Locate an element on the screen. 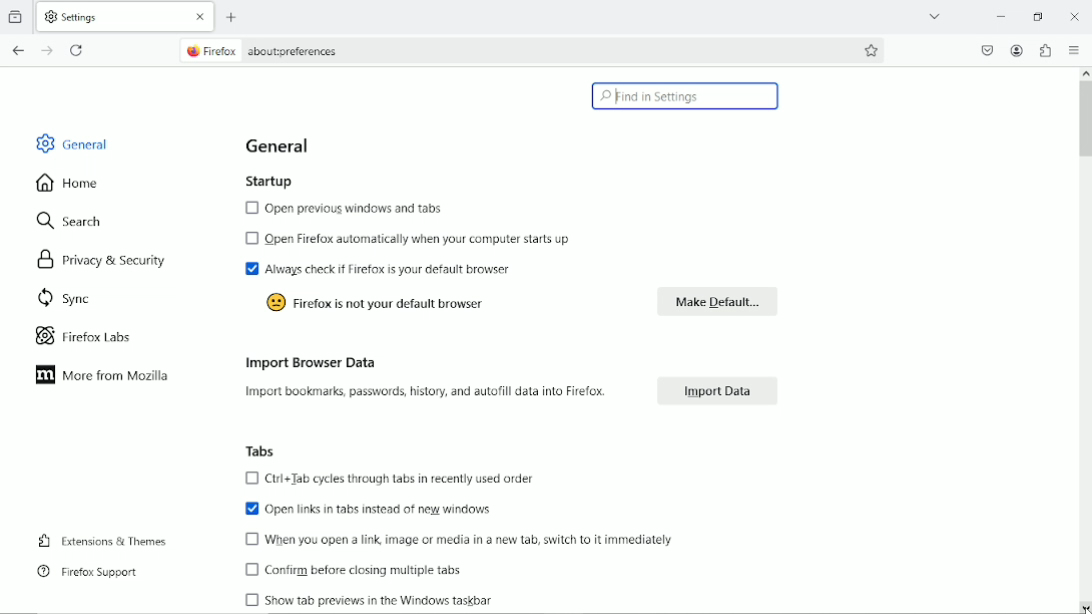 The image size is (1092, 614). extensions is located at coordinates (1045, 51).